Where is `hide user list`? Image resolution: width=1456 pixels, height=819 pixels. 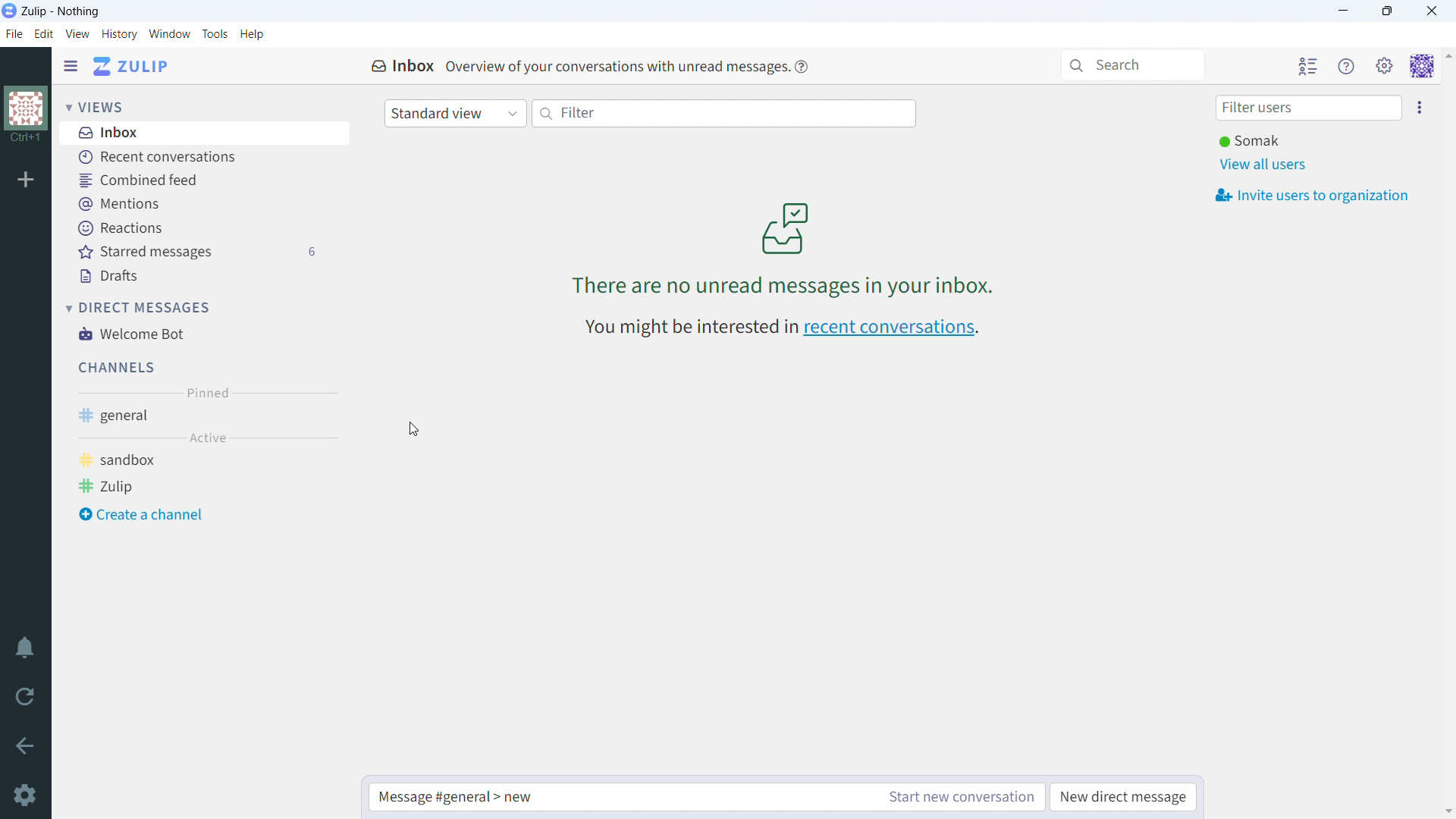 hide user list is located at coordinates (1308, 65).